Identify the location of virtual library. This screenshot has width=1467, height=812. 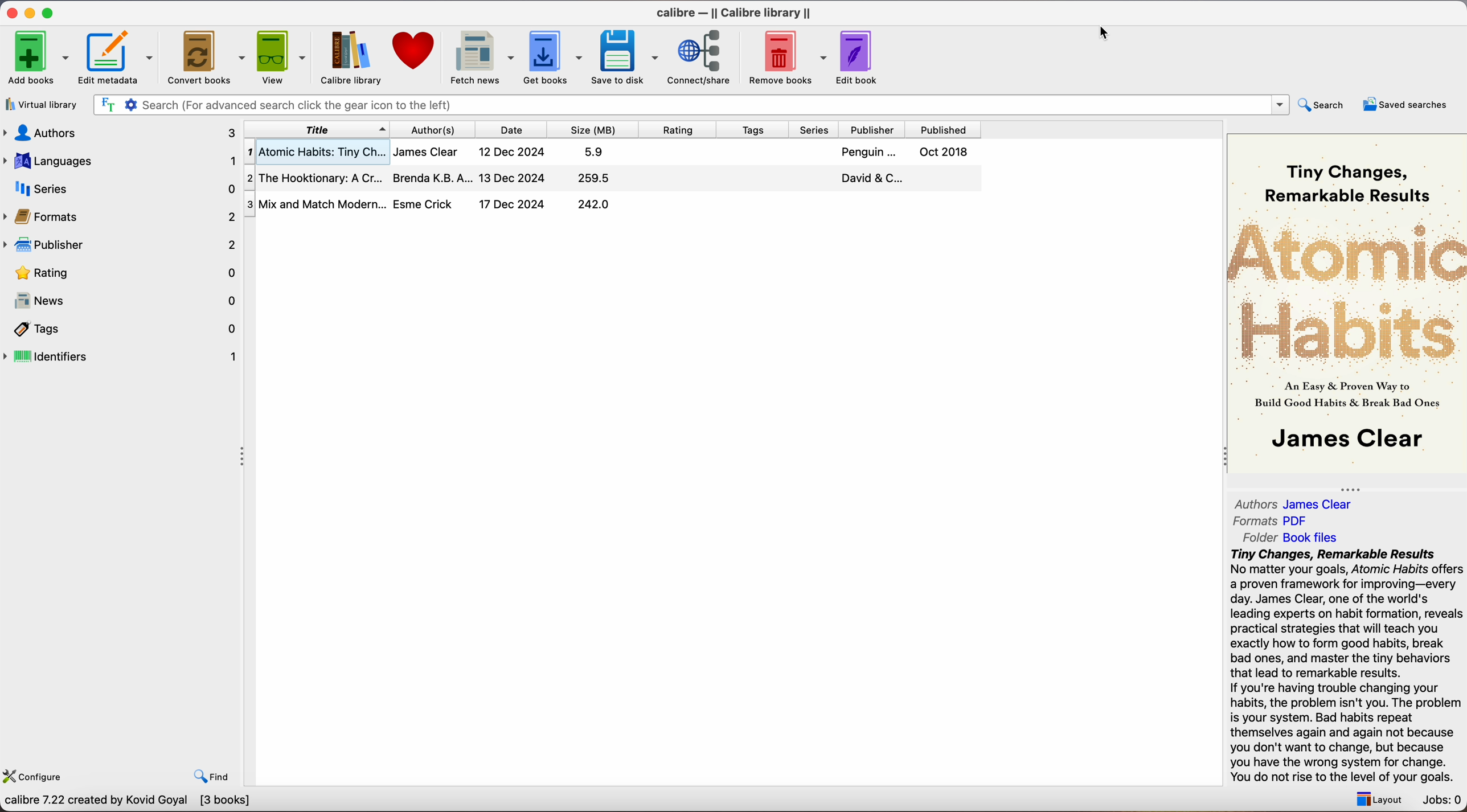
(42, 106).